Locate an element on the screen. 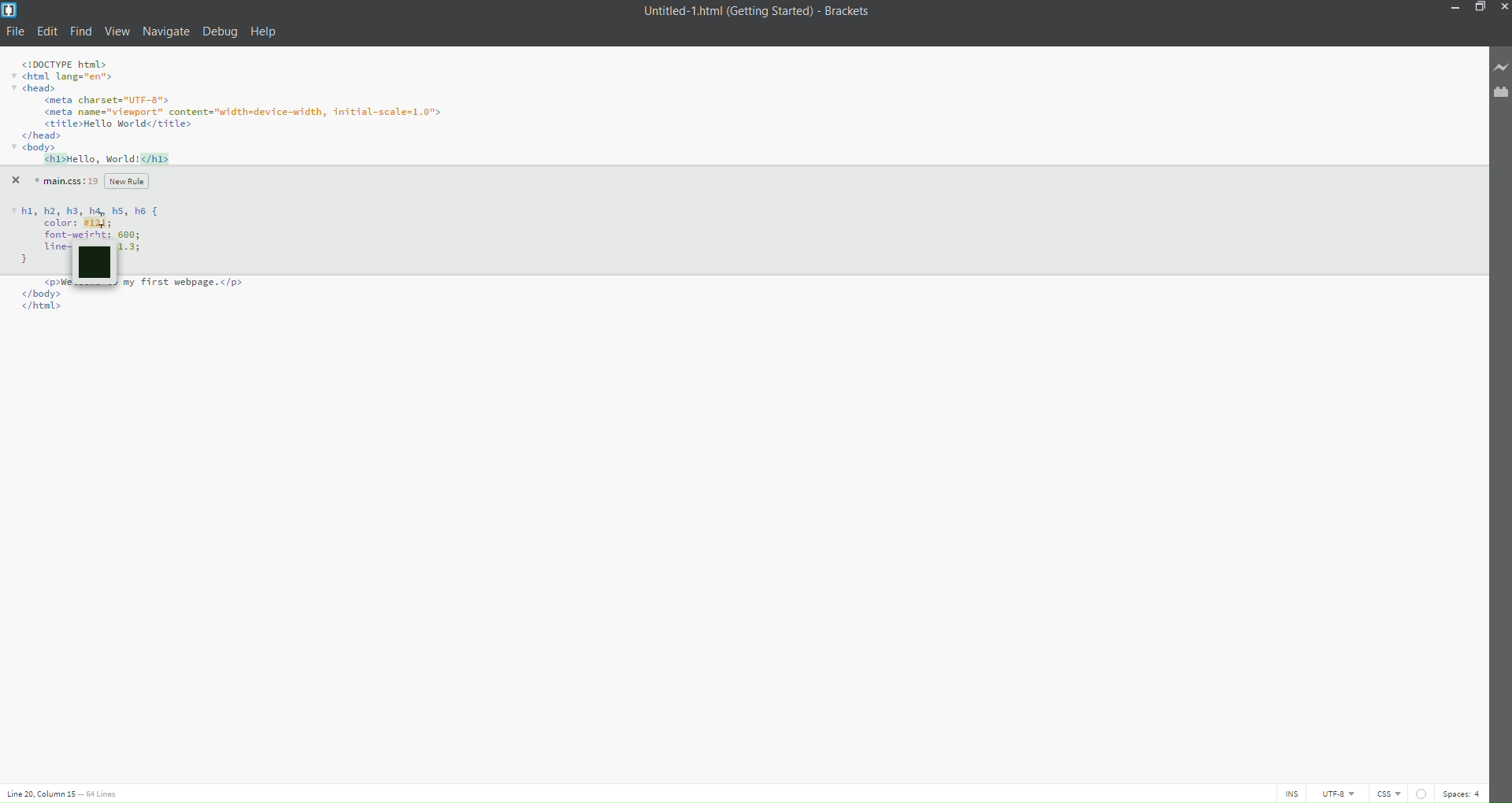 The image size is (1512, 803). live preview is located at coordinates (1497, 68).